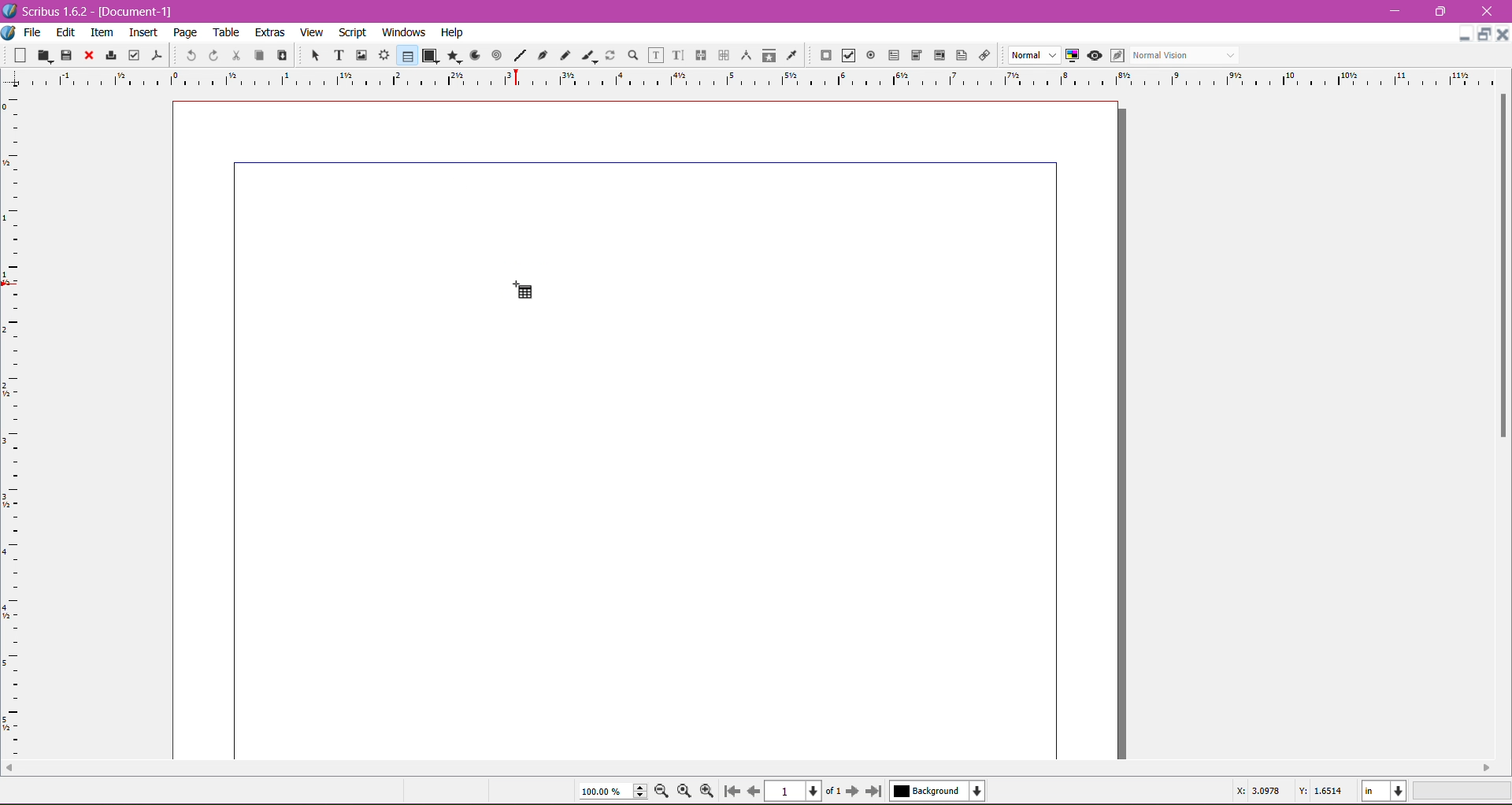  What do you see at coordinates (1503, 33) in the screenshot?
I see `Close` at bounding box center [1503, 33].